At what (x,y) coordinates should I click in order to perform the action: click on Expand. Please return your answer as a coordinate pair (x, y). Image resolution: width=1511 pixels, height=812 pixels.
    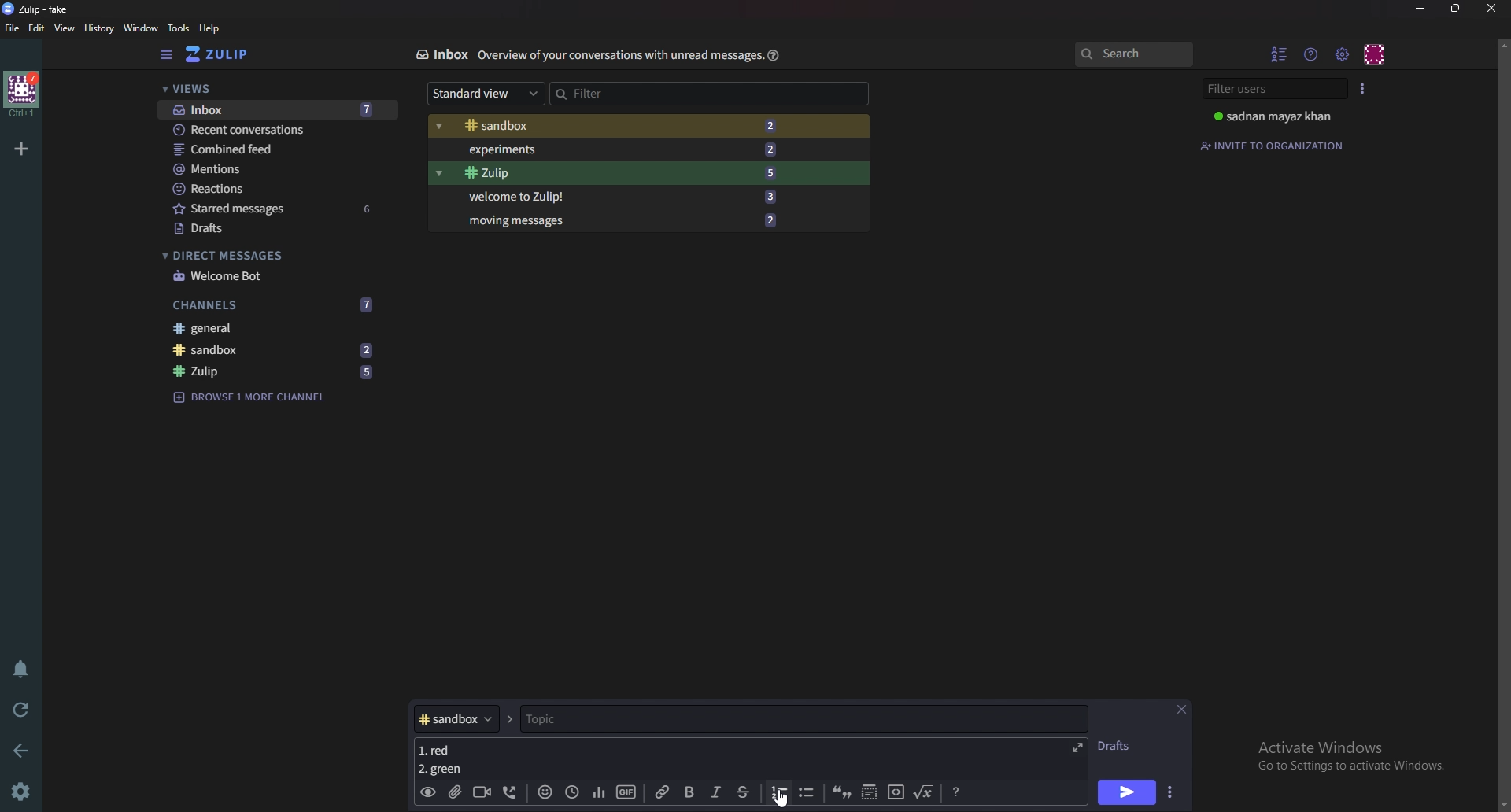
    Looking at the image, I should click on (1076, 746).